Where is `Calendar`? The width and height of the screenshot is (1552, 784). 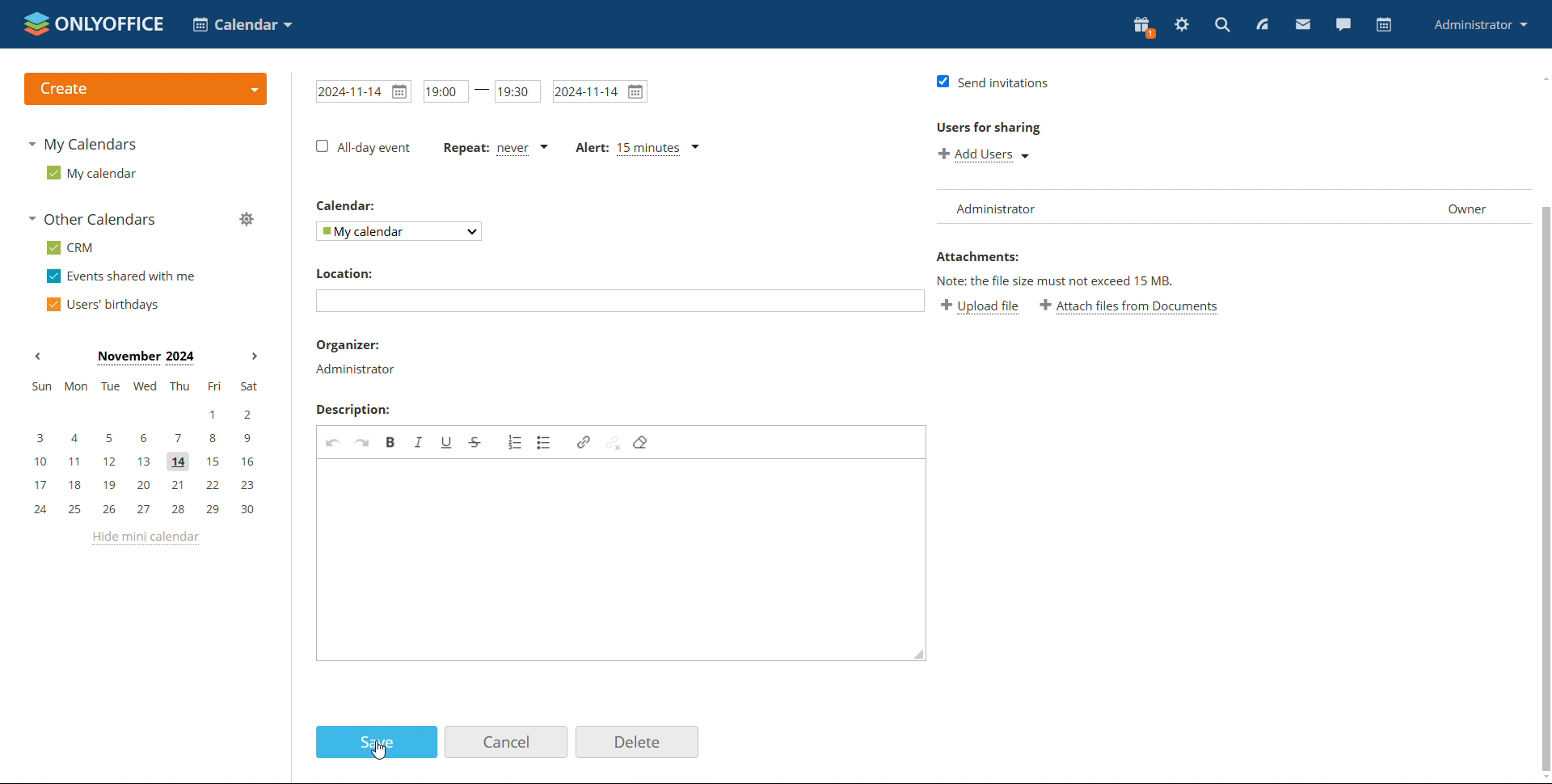 Calendar is located at coordinates (352, 207).